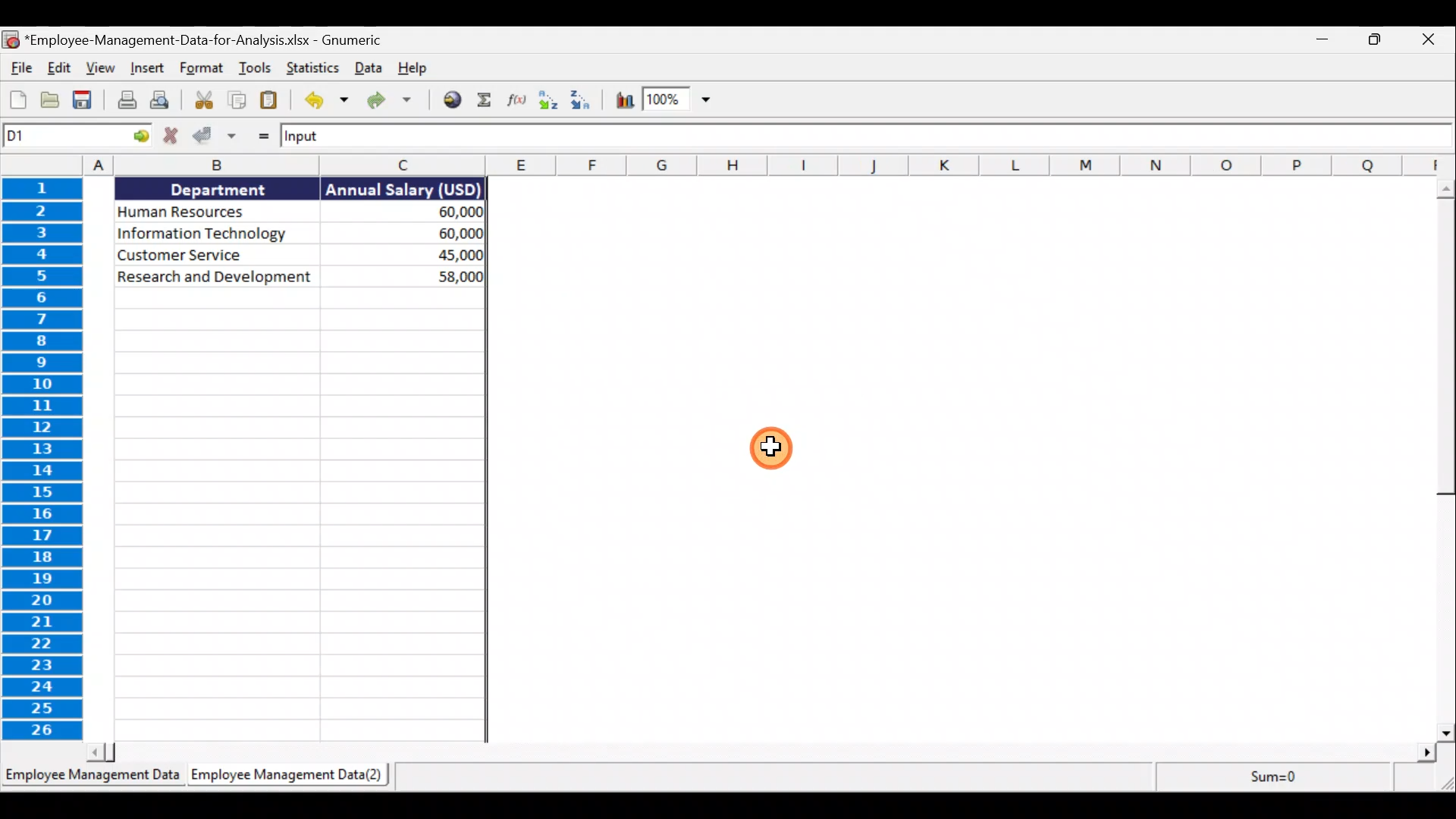 The height and width of the screenshot is (819, 1456). Describe the element at coordinates (17, 102) in the screenshot. I see `Create a new workbook` at that location.